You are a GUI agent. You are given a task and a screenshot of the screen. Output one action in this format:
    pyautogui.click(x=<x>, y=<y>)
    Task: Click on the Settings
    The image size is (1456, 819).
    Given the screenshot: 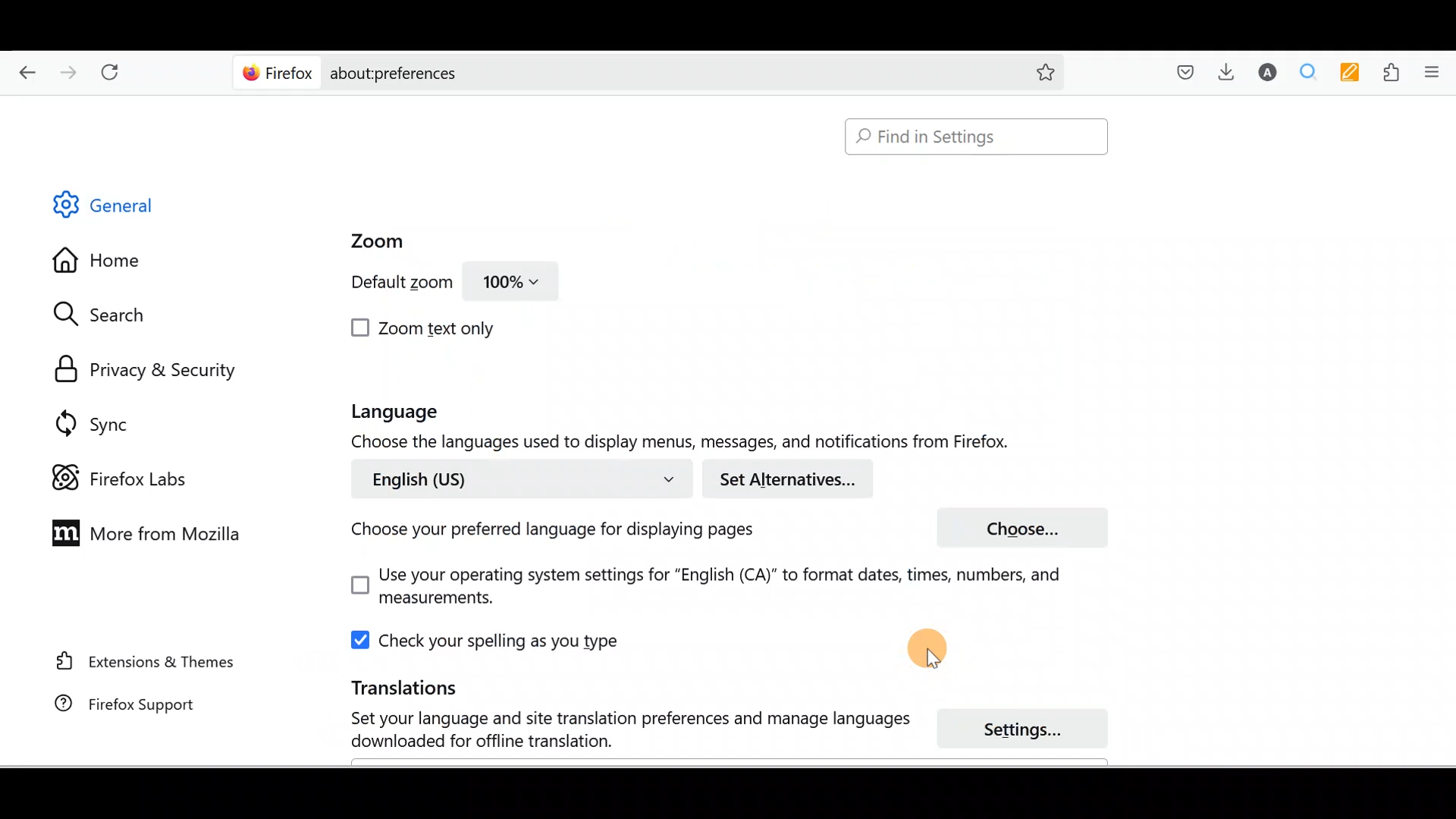 What is the action you would take?
    pyautogui.click(x=1031, y=730)
    